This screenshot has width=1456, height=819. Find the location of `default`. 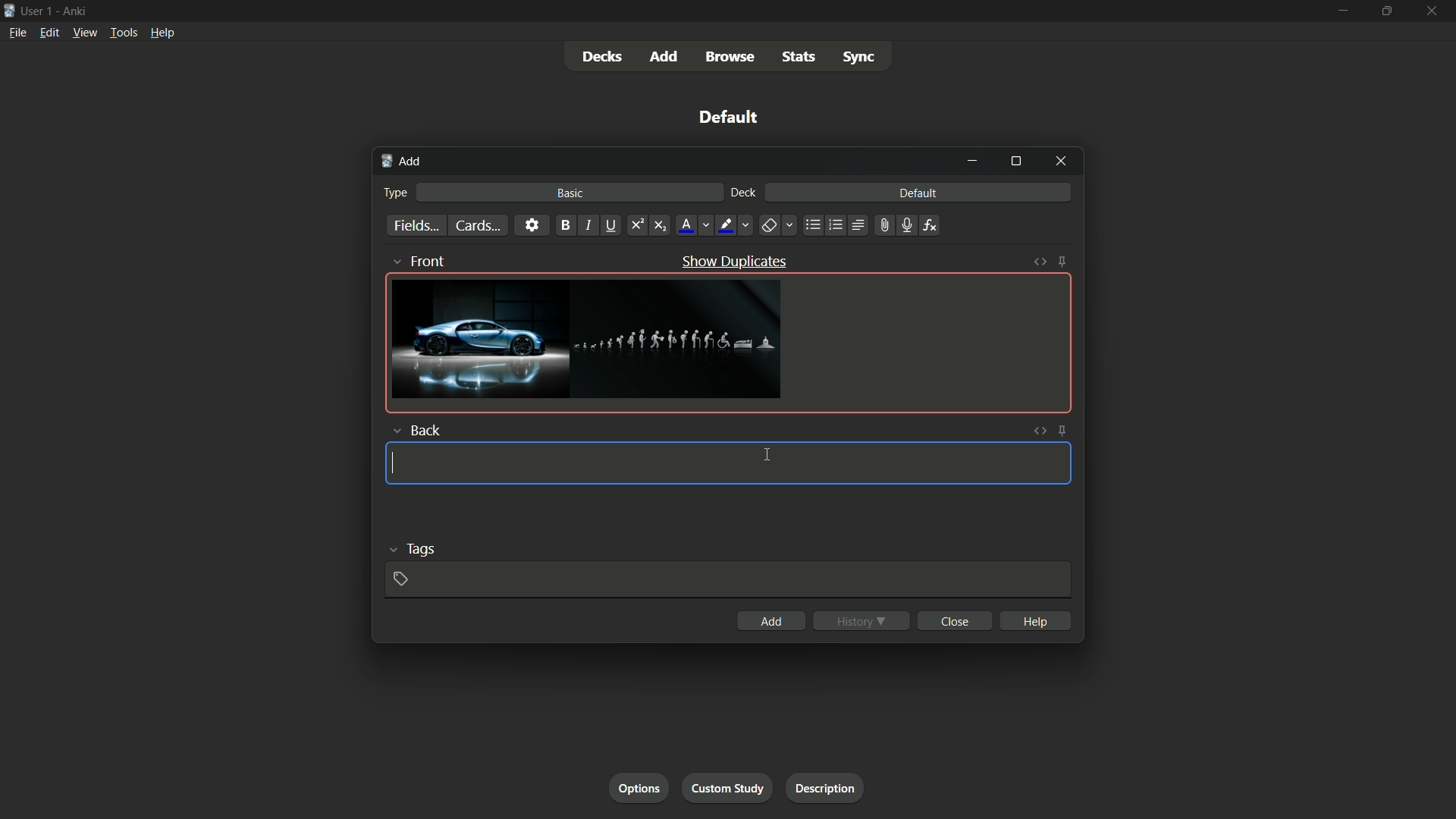

default is located at coordinates (918, 193).